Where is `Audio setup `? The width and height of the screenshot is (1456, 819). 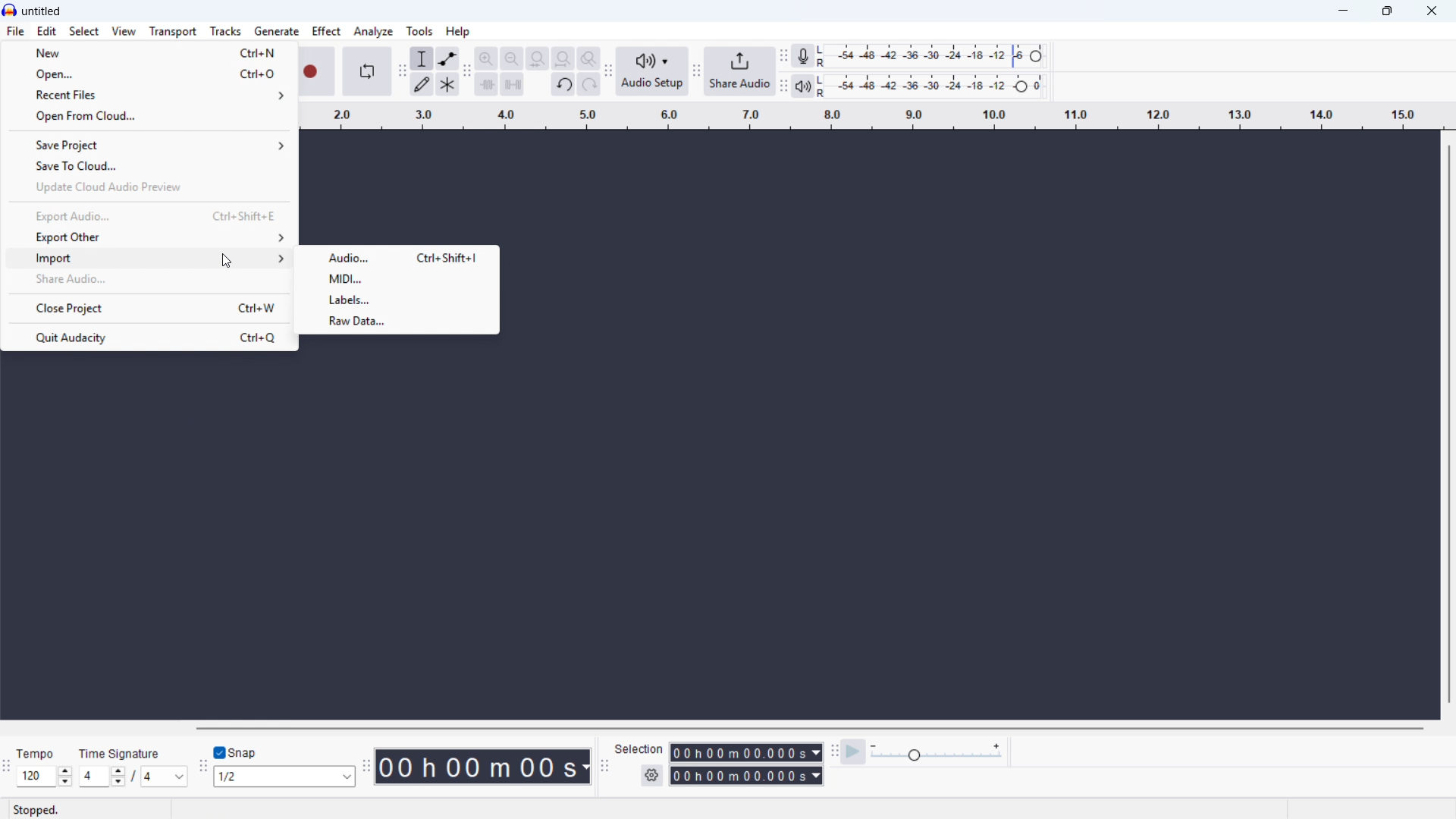 Audio setup  is located at coordinates (652, 71).